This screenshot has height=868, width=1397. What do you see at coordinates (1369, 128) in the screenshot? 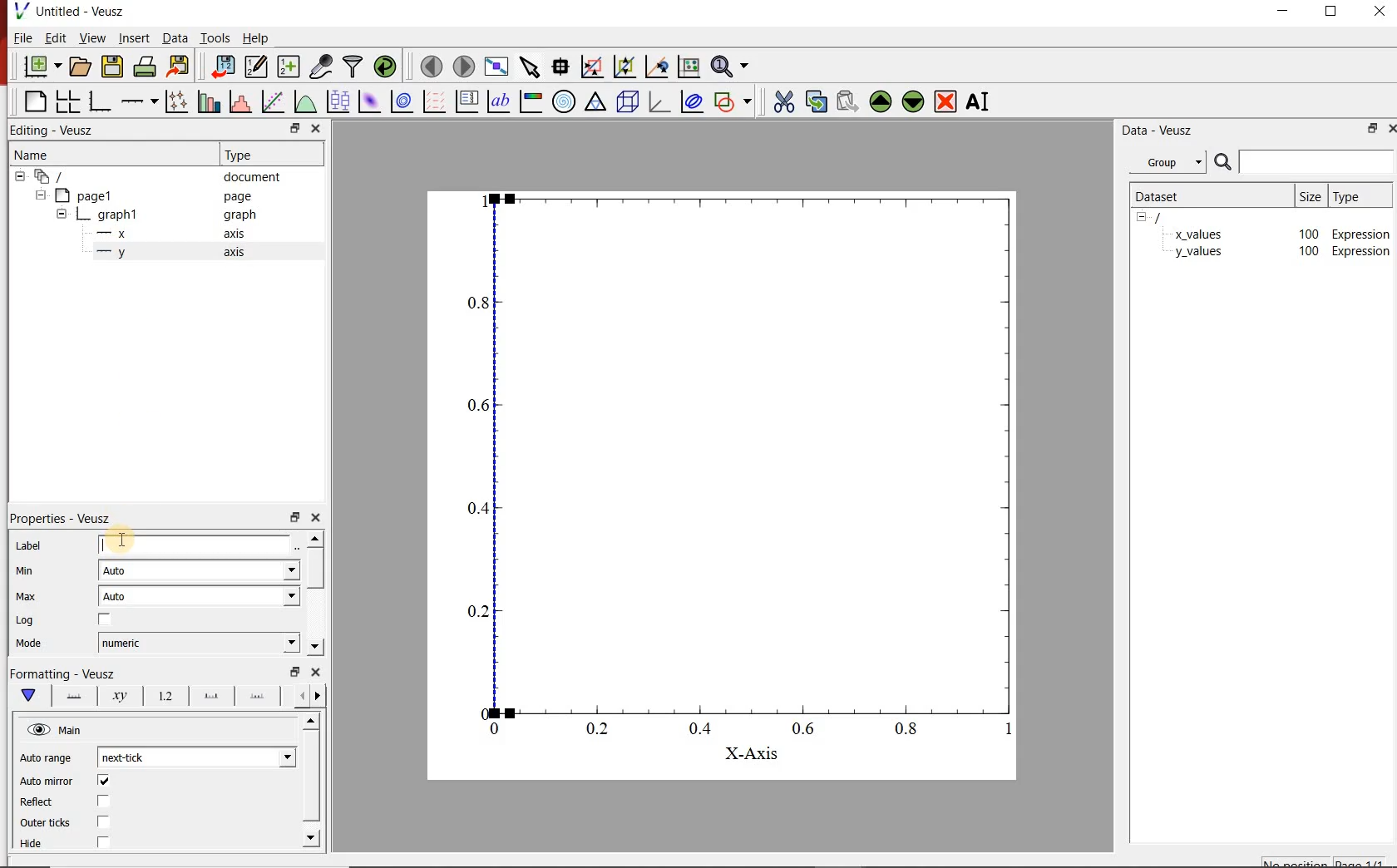
I see `restore down` at bounding box center [1369, 128].